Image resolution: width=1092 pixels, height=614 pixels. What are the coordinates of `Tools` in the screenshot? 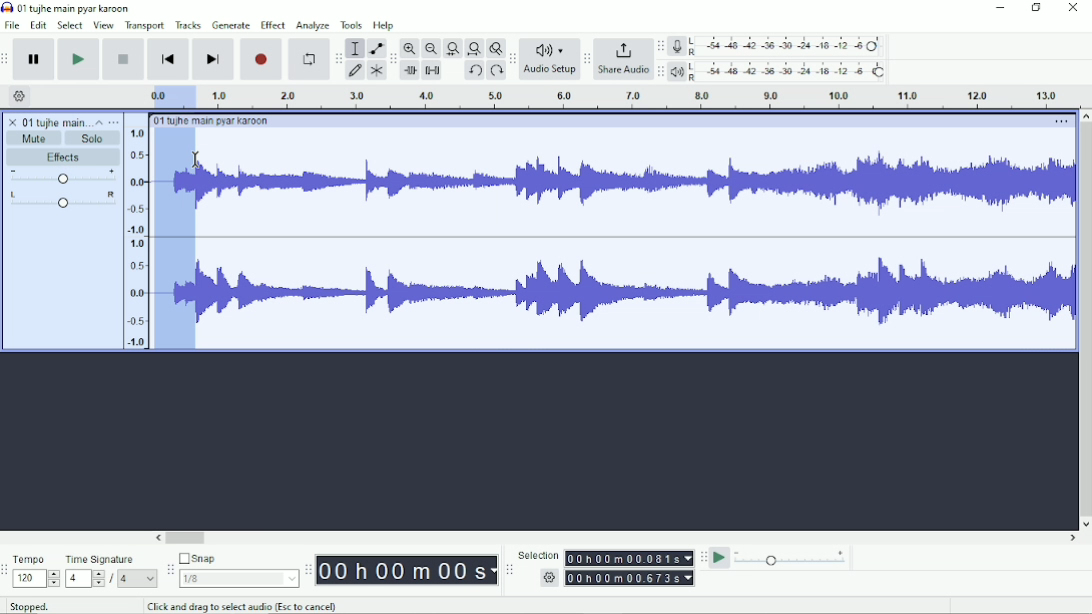 It's located at (352, 25).